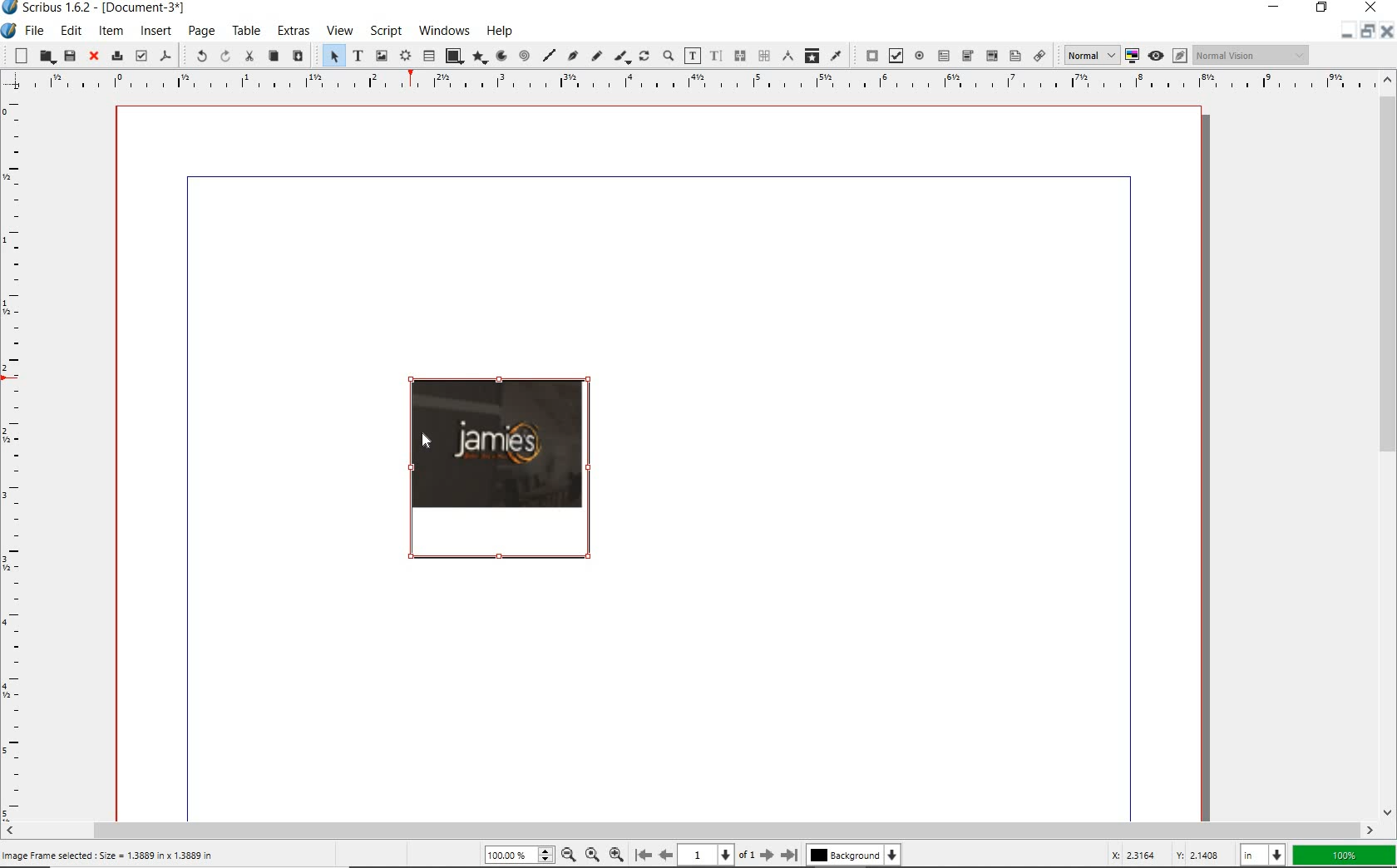 The image size is (1397, 868). I want to click on EDIT, so click(71, 31).